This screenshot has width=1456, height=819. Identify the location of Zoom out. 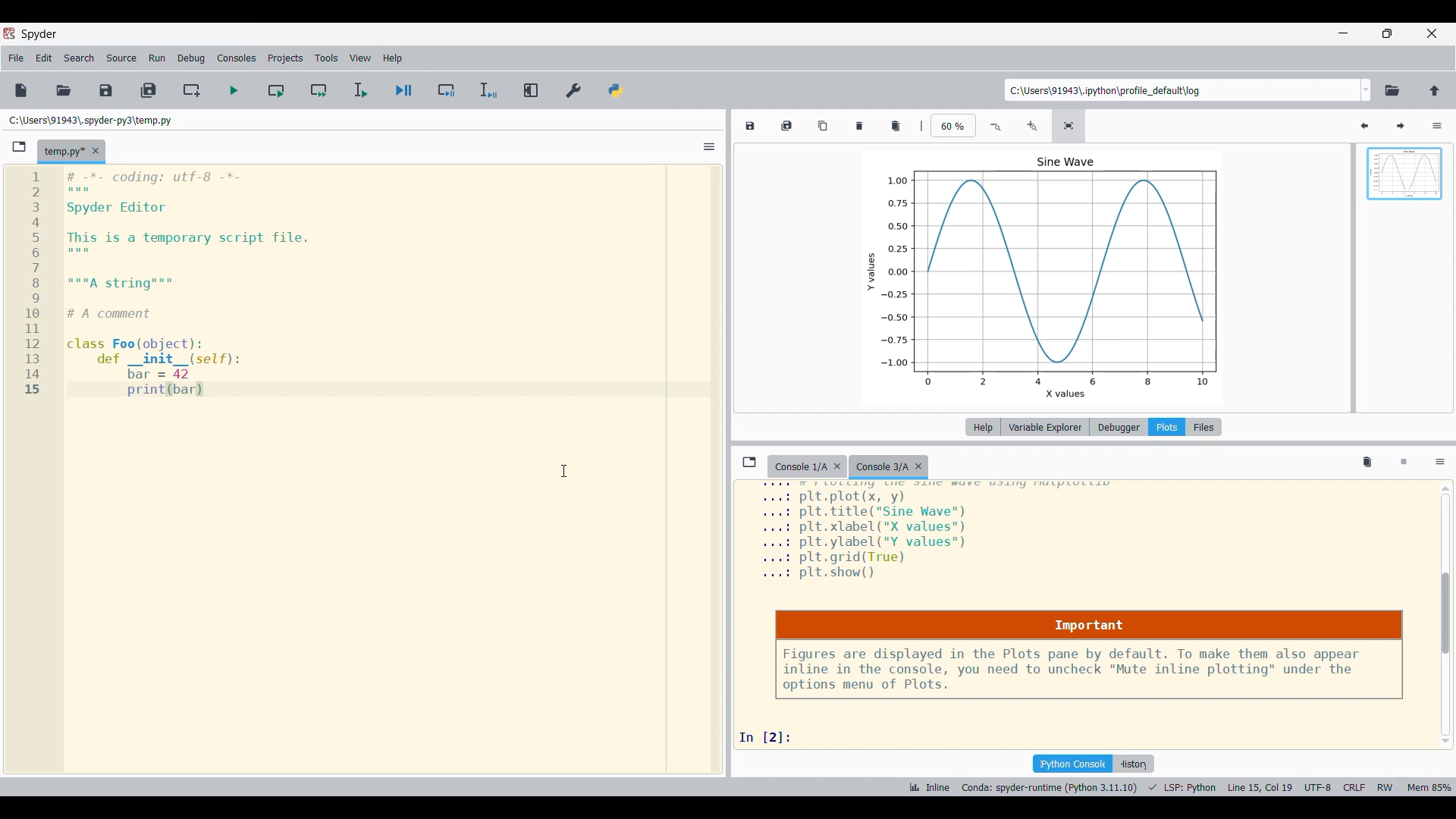
(997, 127).